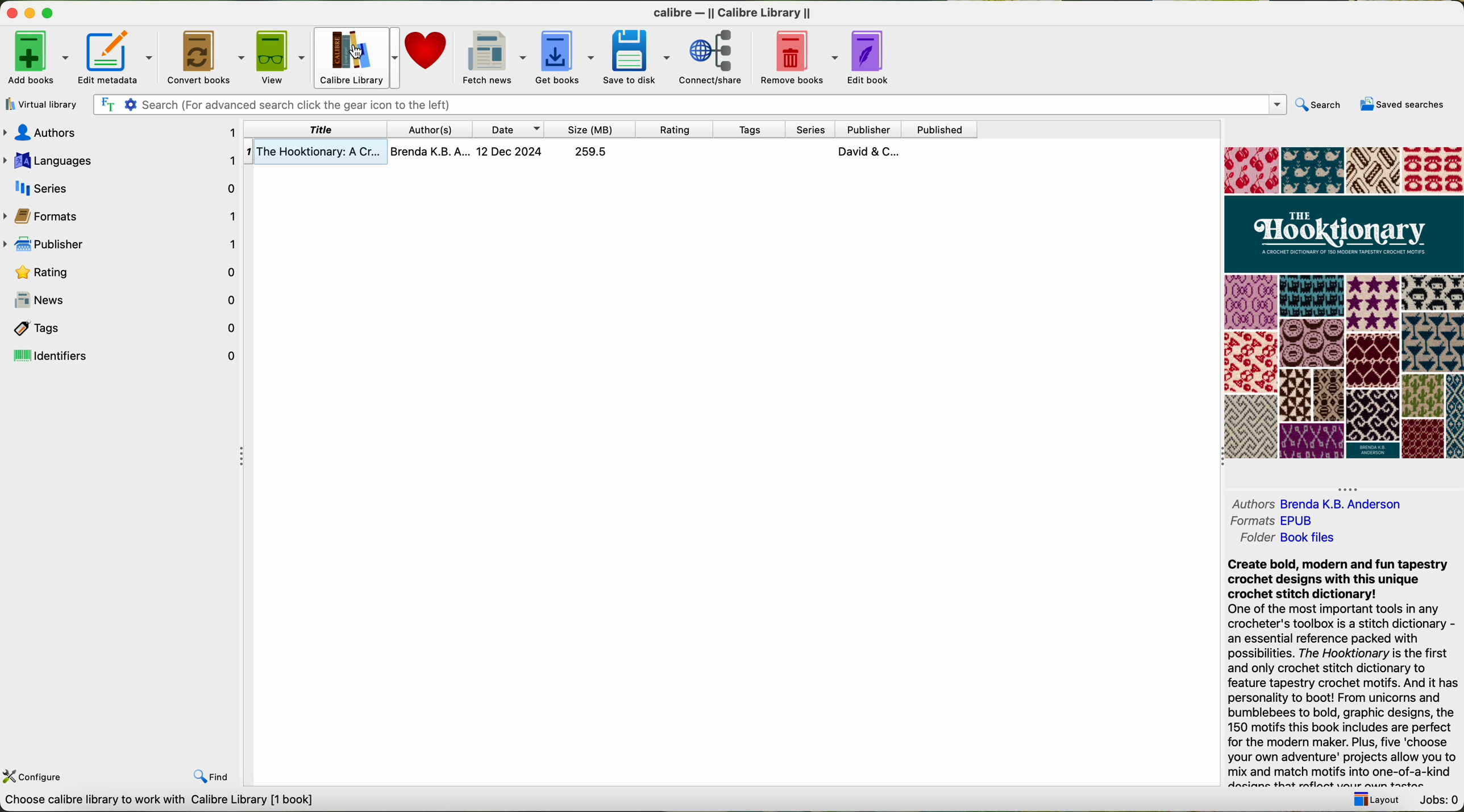 Image resolution: width=1464 pixels, height=812 pixels. What do you see at coordinates (1270, 521) in the screenshot?
I see `formats EPUB` at bounding box center [1270, 521].